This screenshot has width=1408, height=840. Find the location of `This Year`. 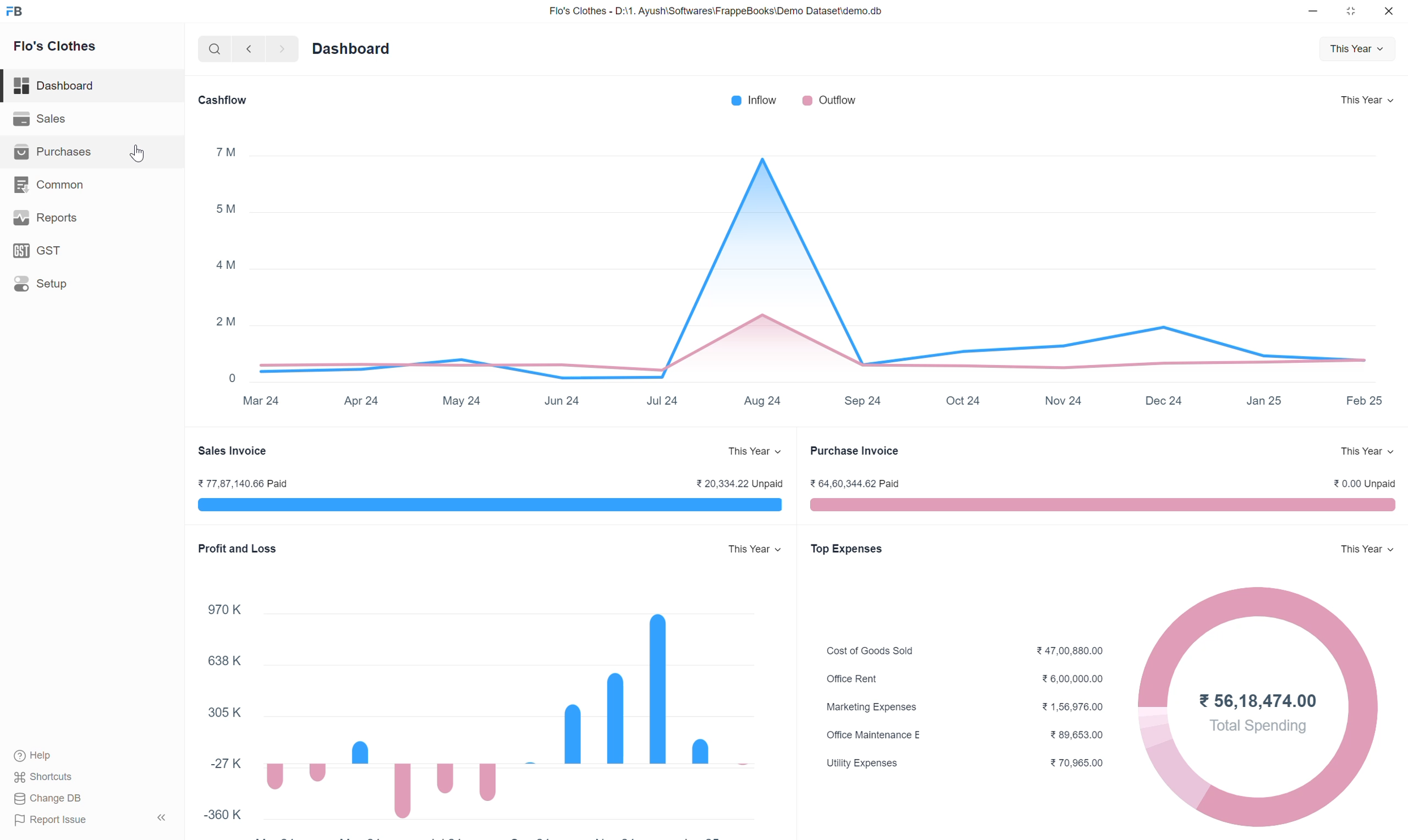

This Year is located at coordinates (1356, 49).